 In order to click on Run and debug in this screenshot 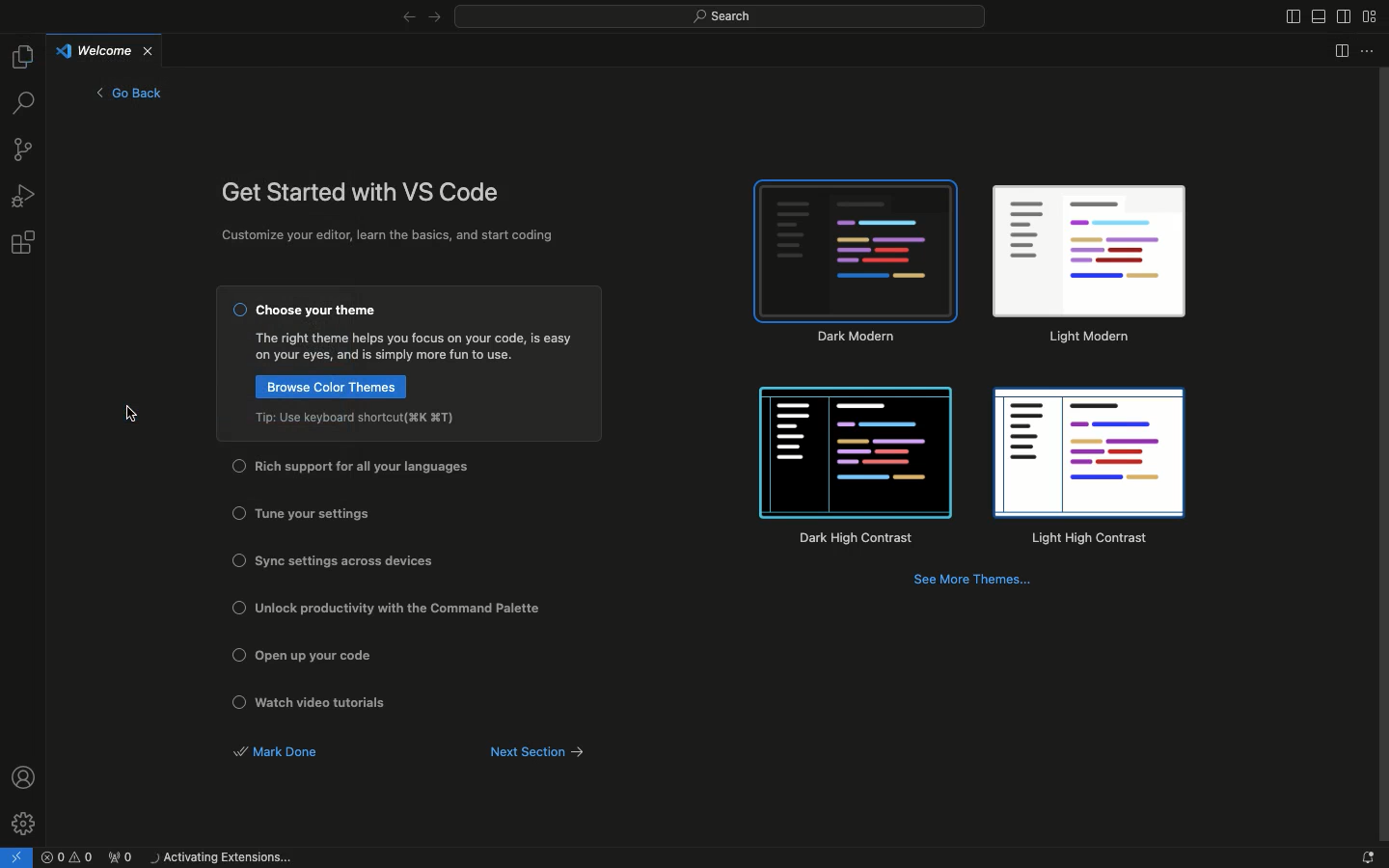, I will do `click(25, 195)`.